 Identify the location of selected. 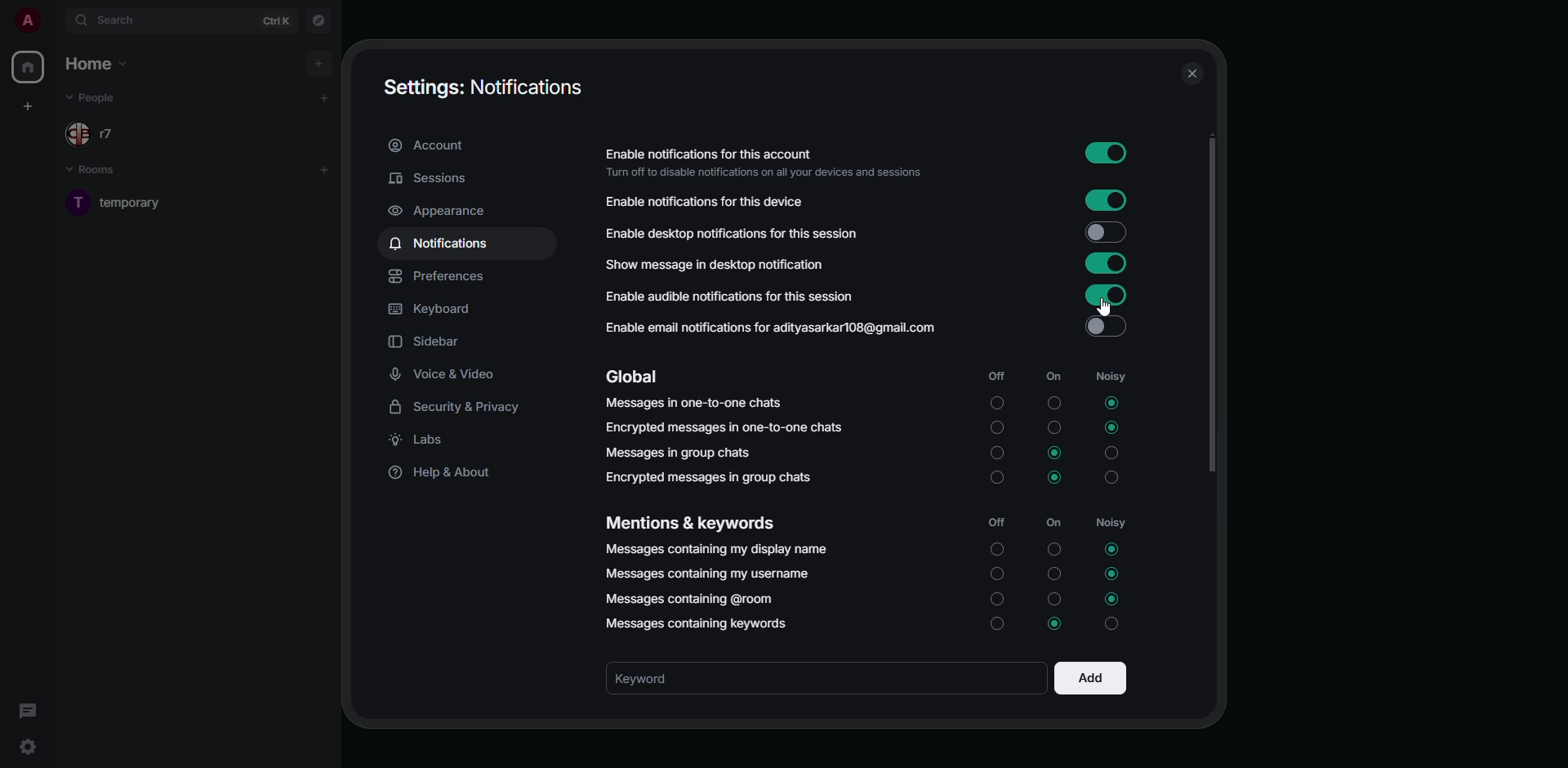
(1055, 476).